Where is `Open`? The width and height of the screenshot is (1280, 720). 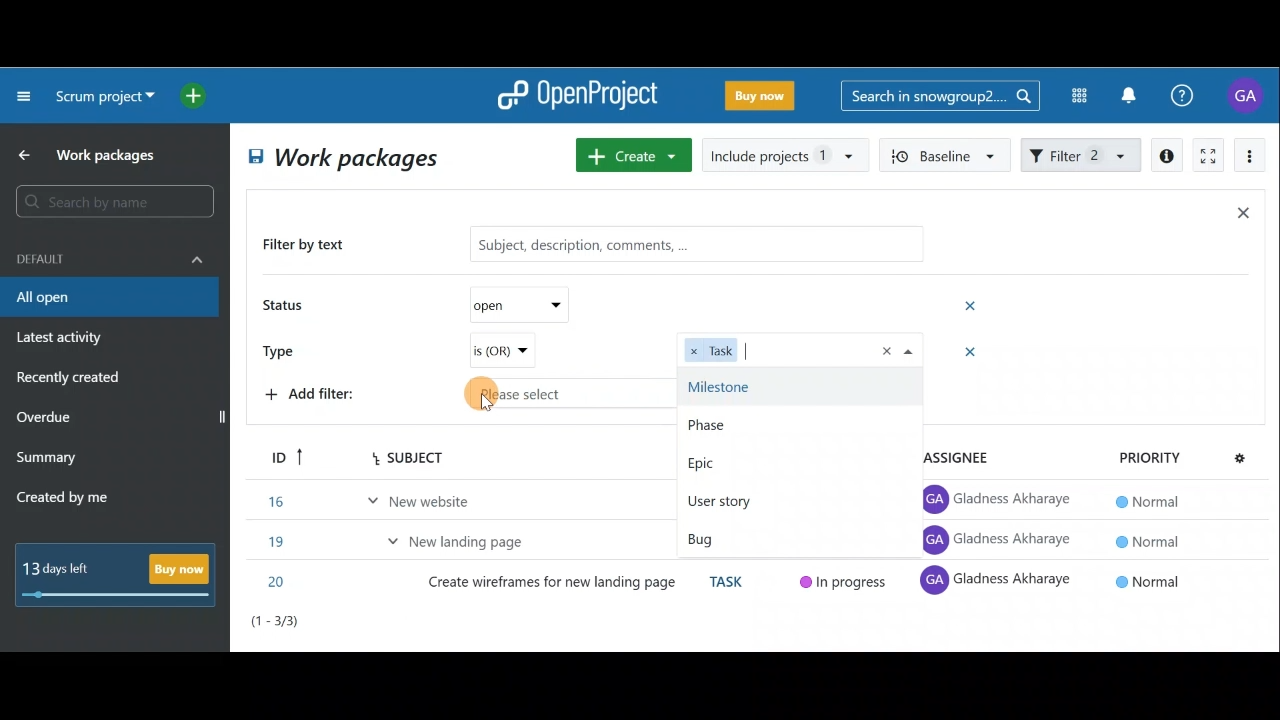 Open is located at coordinates (512, 305).